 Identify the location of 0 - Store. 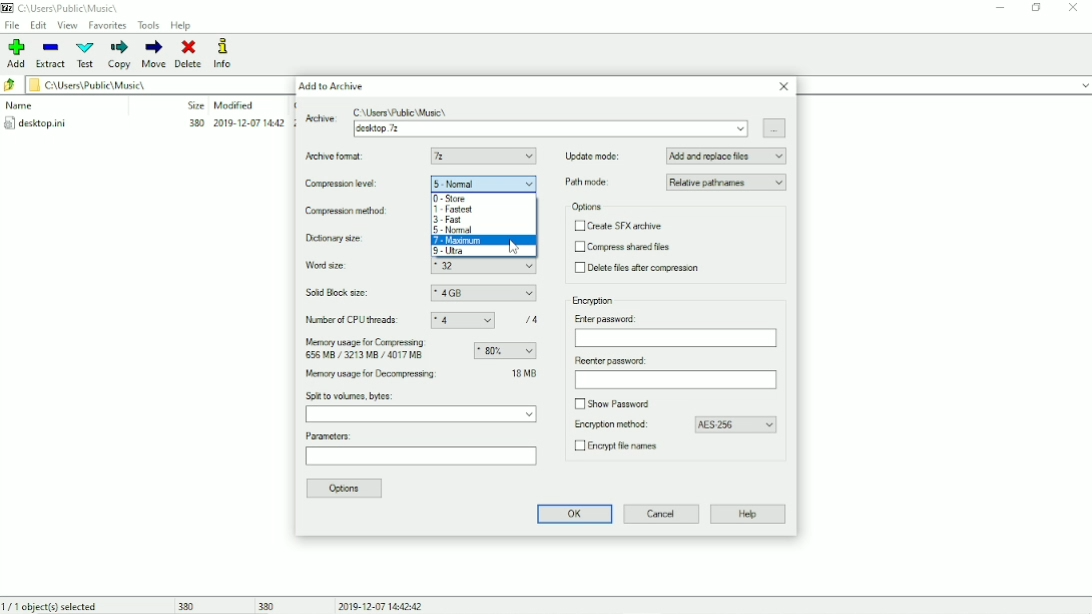
(449, 198).